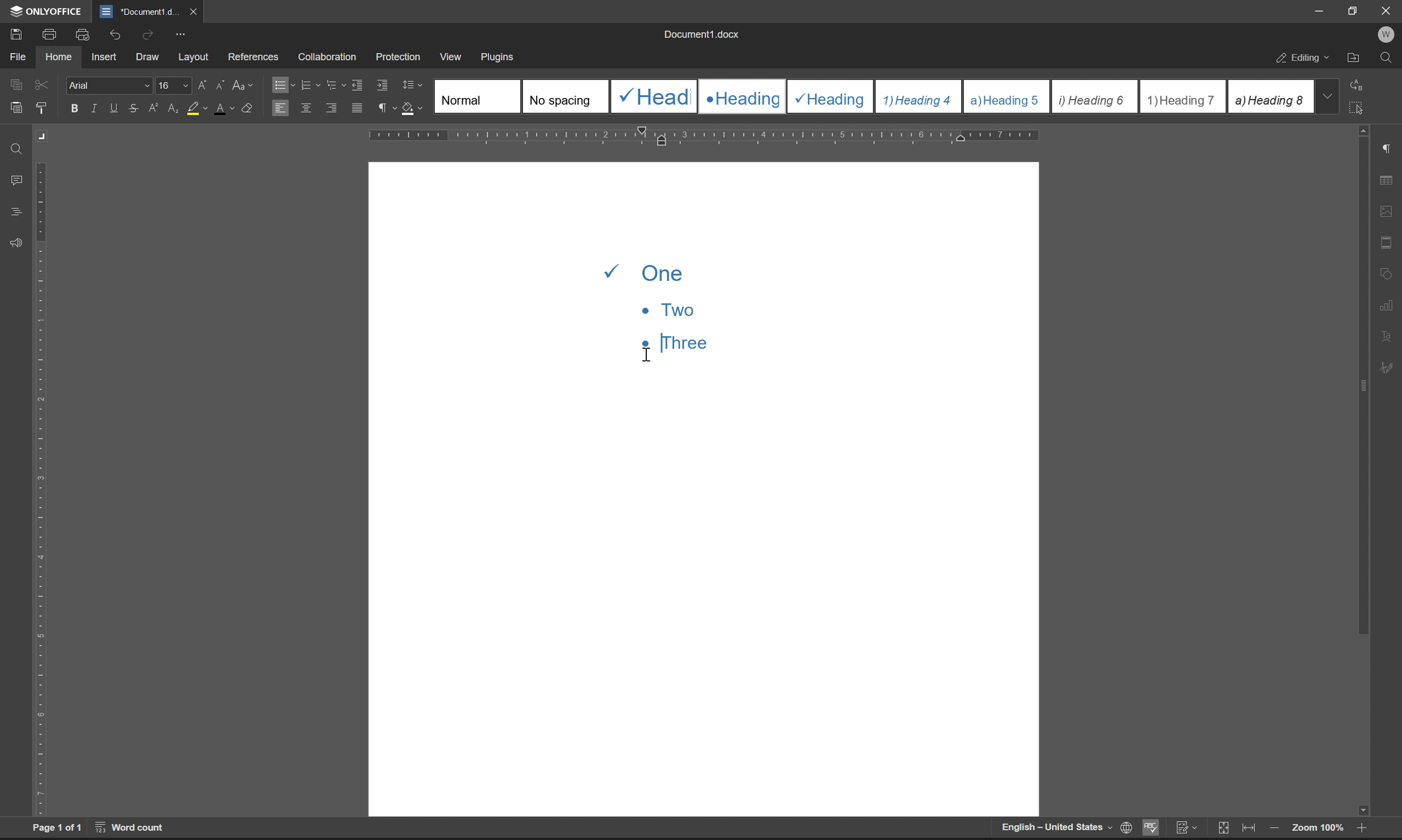 The width and height of the screenshot is (1402, 840). I want to click on Heading 4, so click(919, 97).